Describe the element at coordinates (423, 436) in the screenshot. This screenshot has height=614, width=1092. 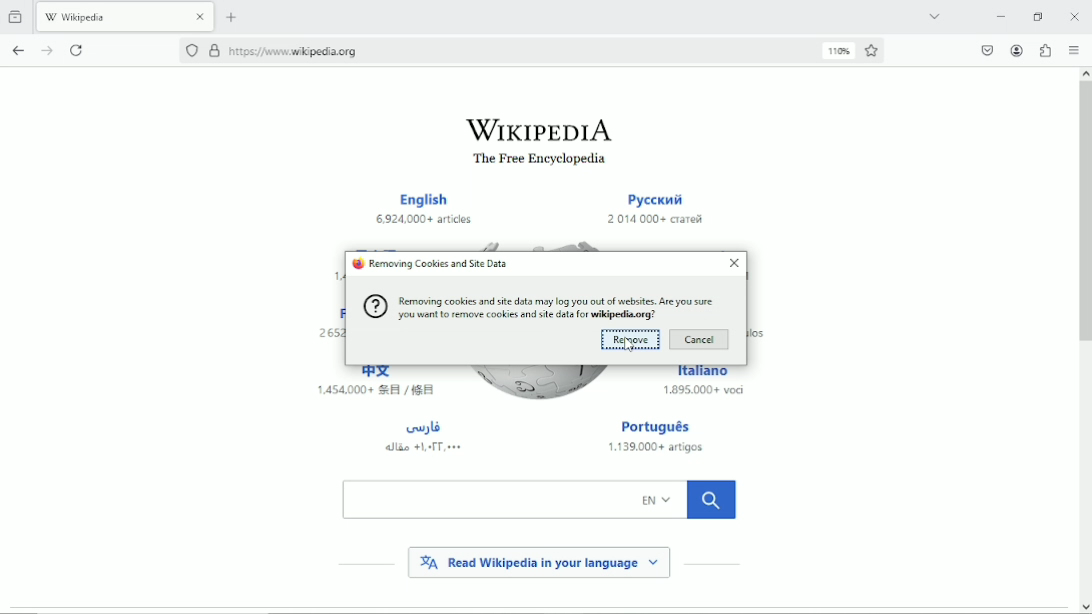
I see `foreign language` at that location.